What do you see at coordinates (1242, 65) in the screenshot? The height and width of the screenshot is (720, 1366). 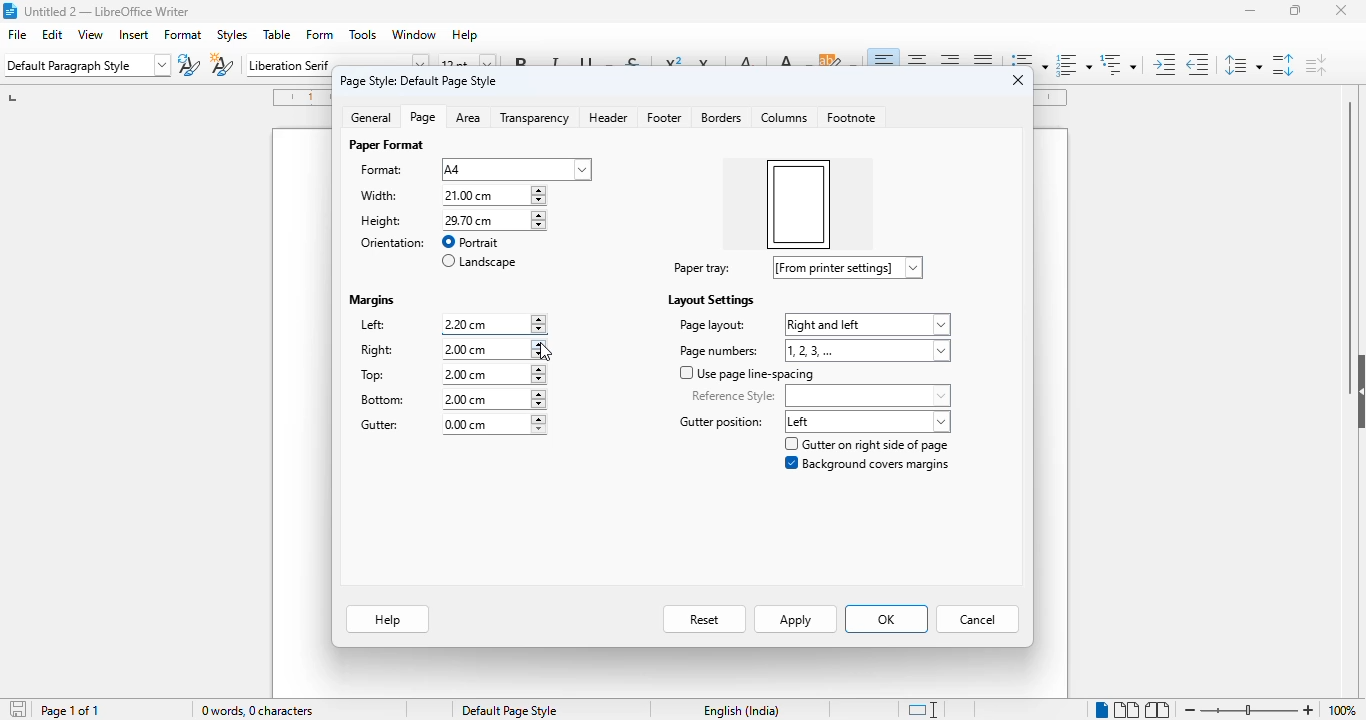 I see `set line spacing` at bounding box center [1242, 65].